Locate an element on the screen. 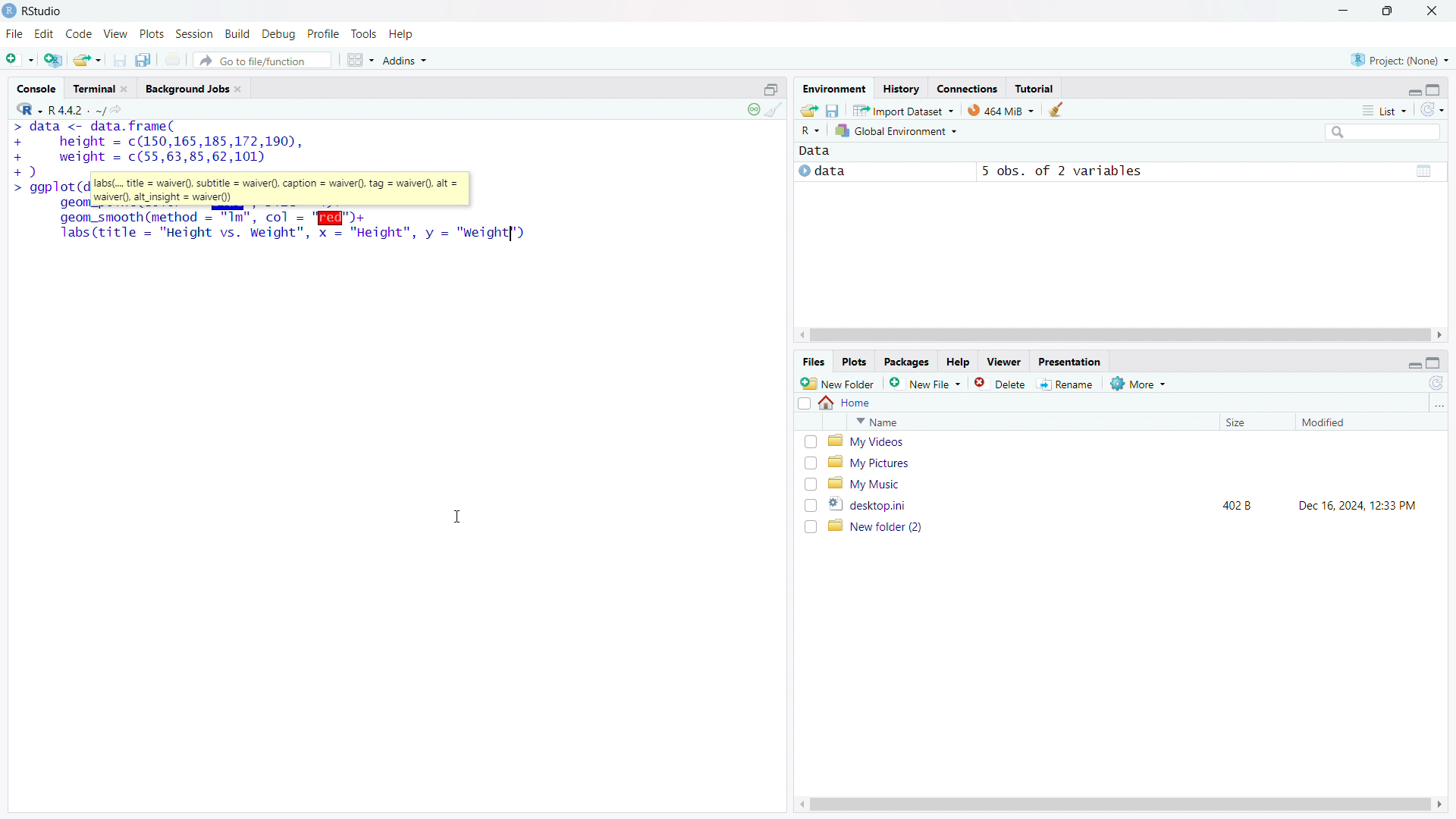 This screenshot has width=1456, height=819. scroll left is located at coordinates (799, 805).